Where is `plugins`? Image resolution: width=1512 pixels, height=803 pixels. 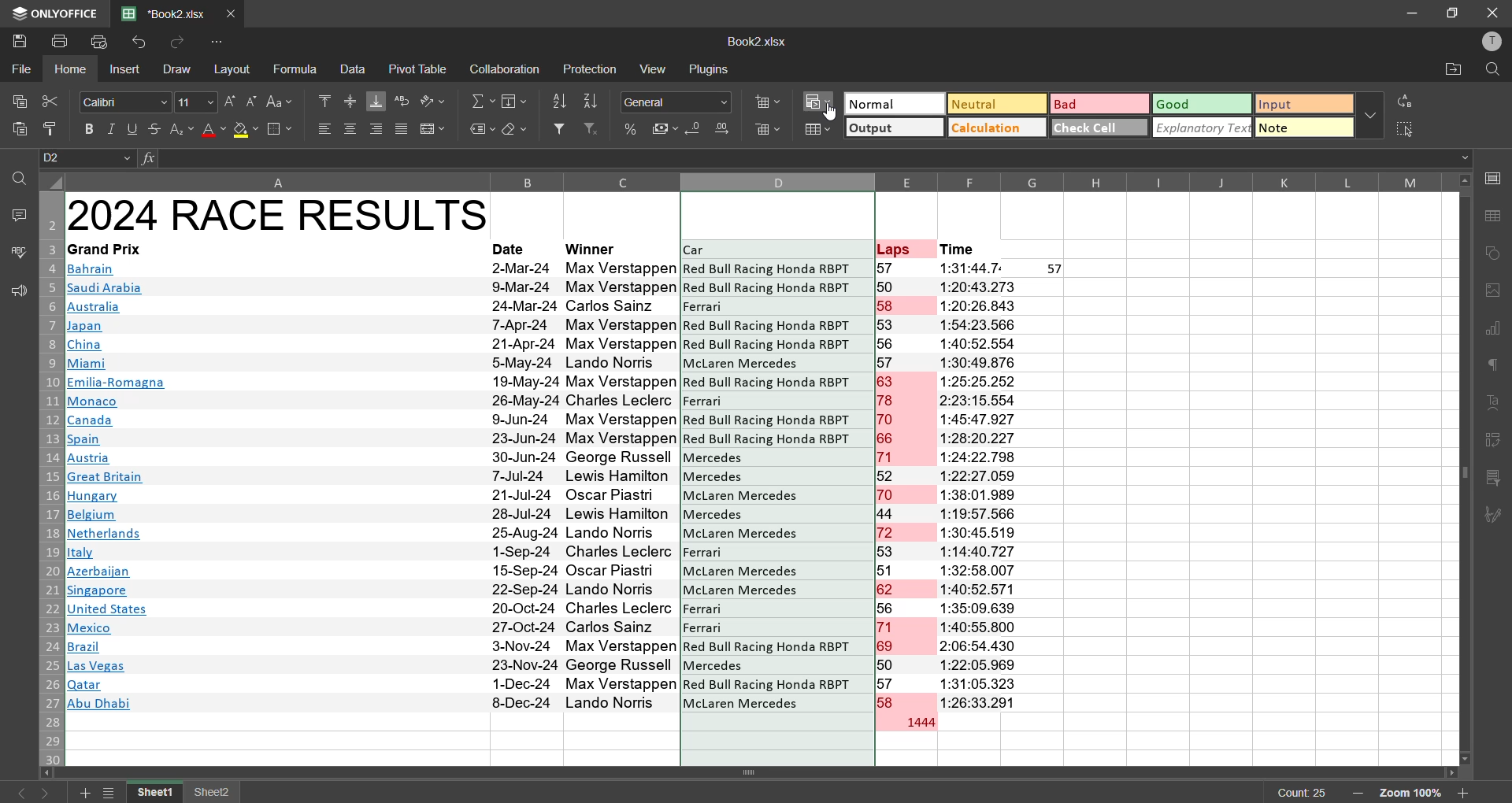
plugins is located at coordinates (709, 68).